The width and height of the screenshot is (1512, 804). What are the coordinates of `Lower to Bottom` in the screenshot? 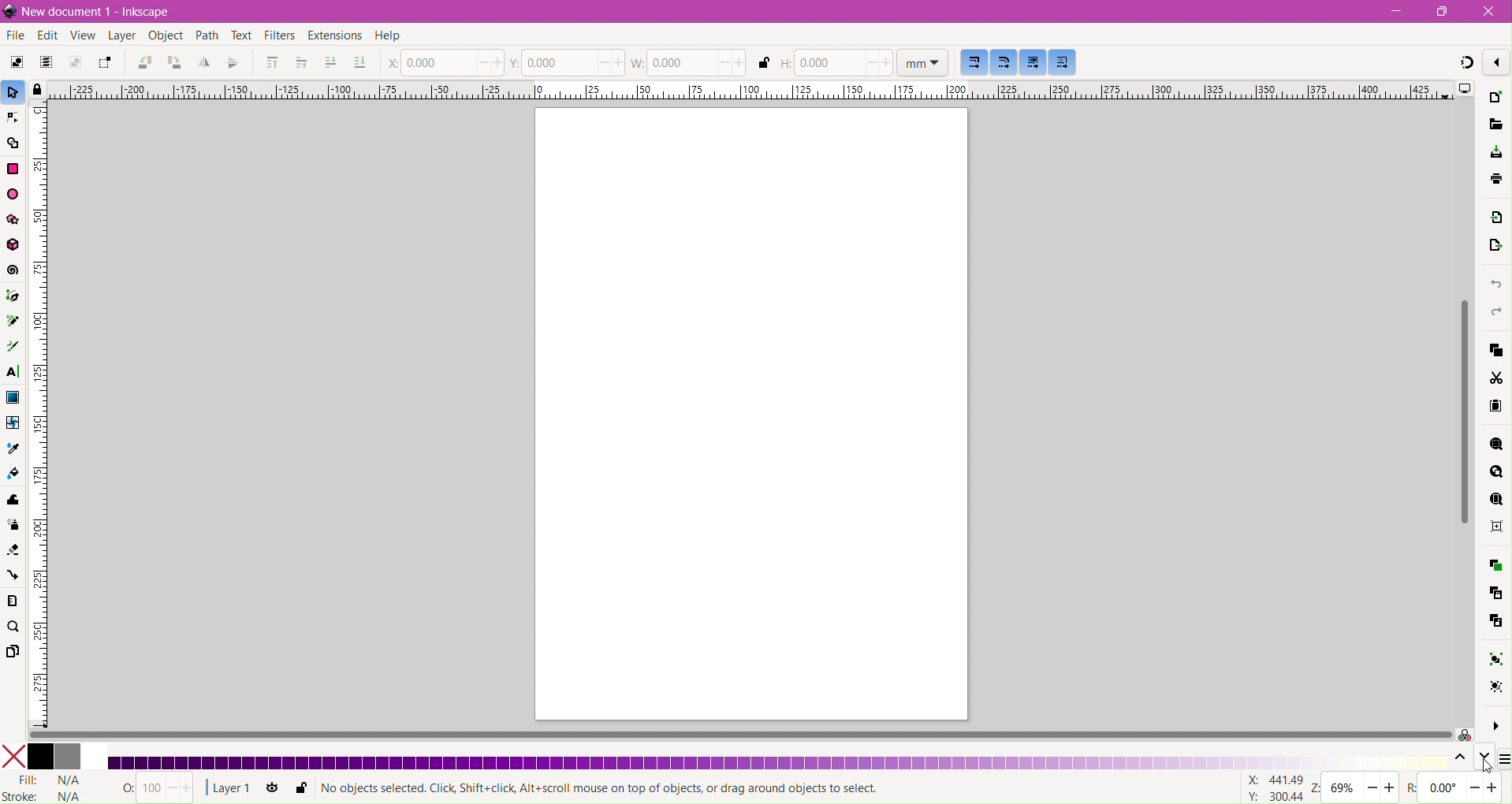 It's located at (359, 63).